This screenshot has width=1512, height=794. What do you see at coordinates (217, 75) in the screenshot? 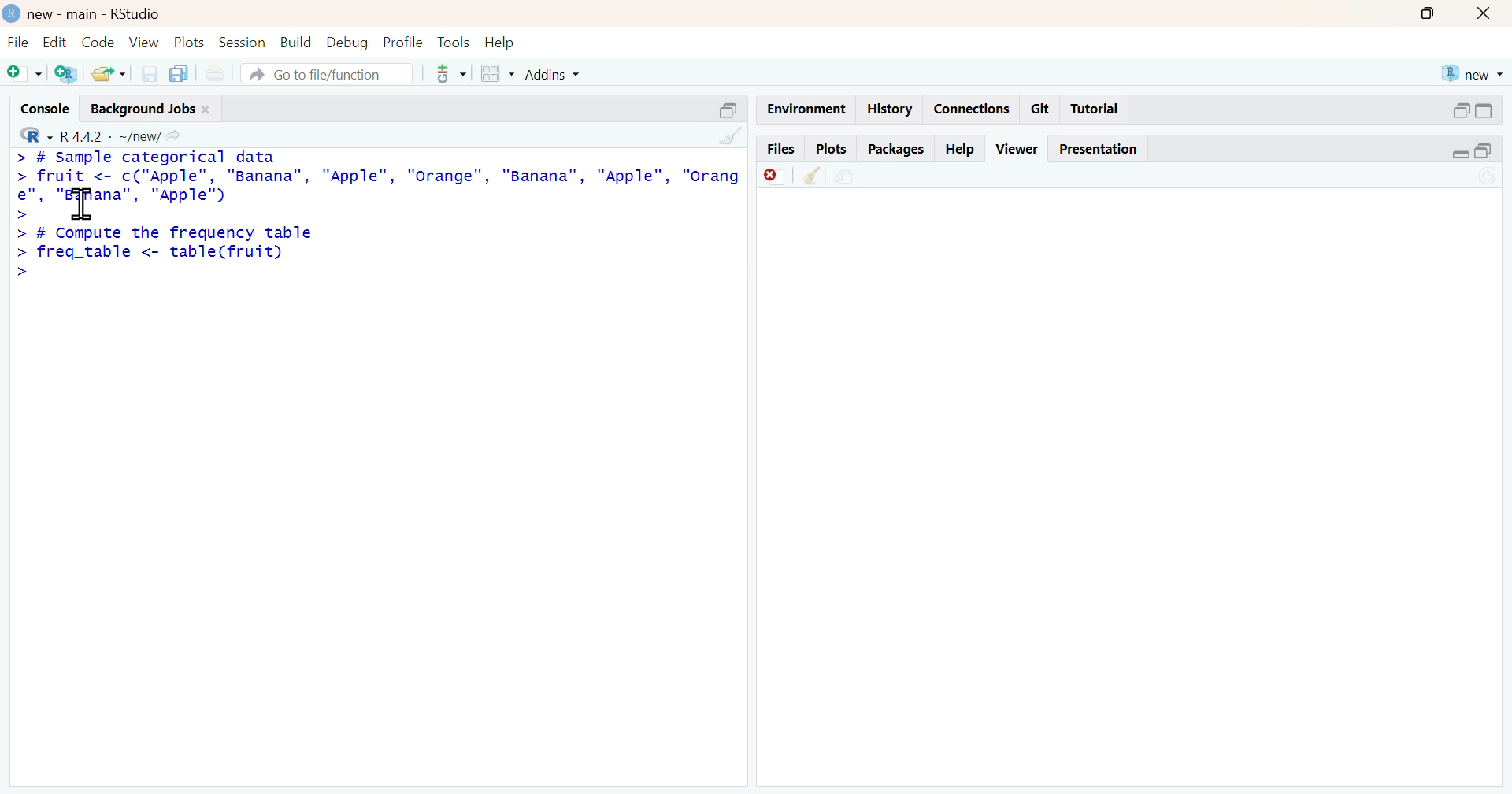
I see `print new file` at bounding box center [217, 75].